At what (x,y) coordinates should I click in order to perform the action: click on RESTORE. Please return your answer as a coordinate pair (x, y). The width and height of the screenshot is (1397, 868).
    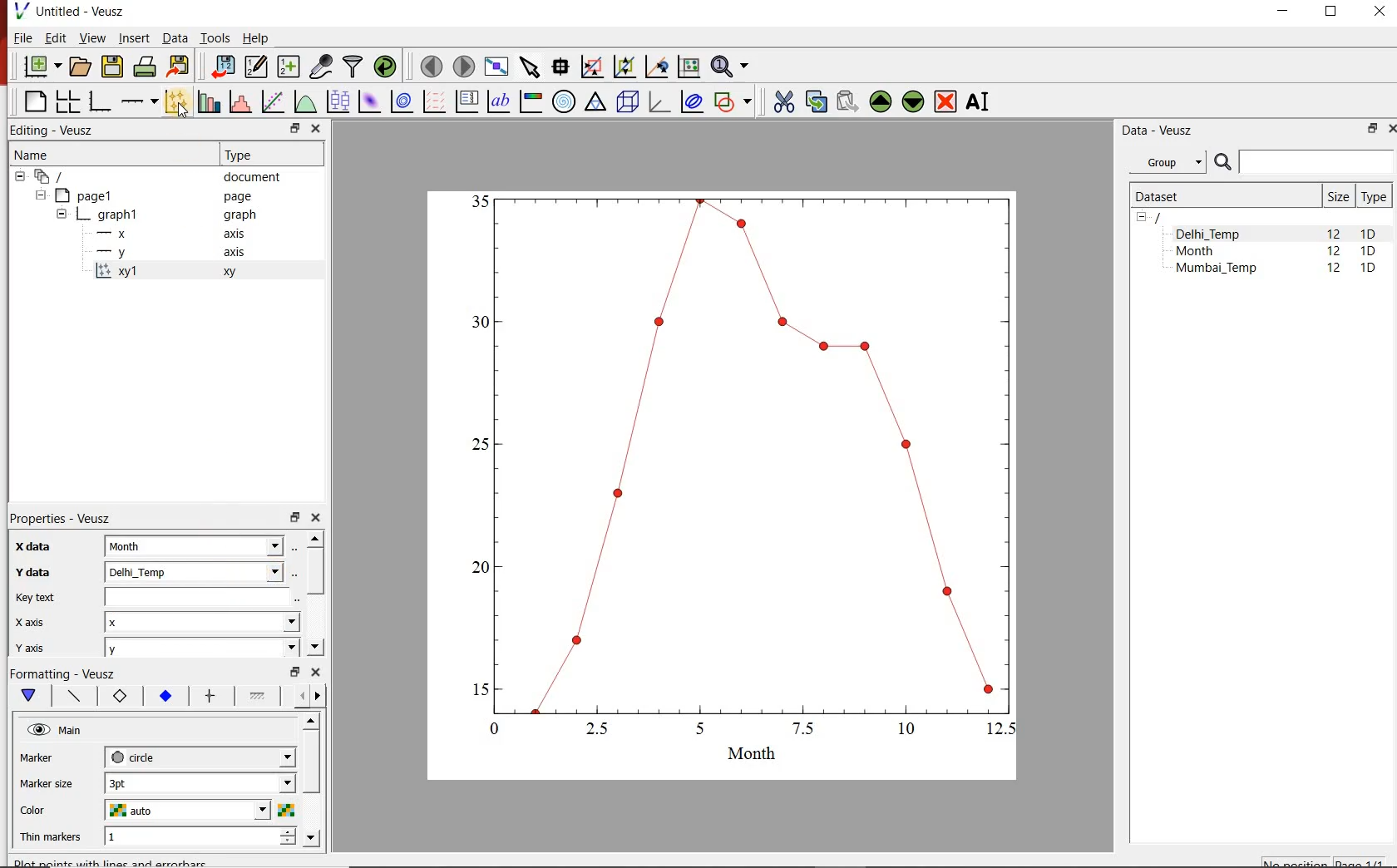
    Looking at the image, I should click on (1331, 12).